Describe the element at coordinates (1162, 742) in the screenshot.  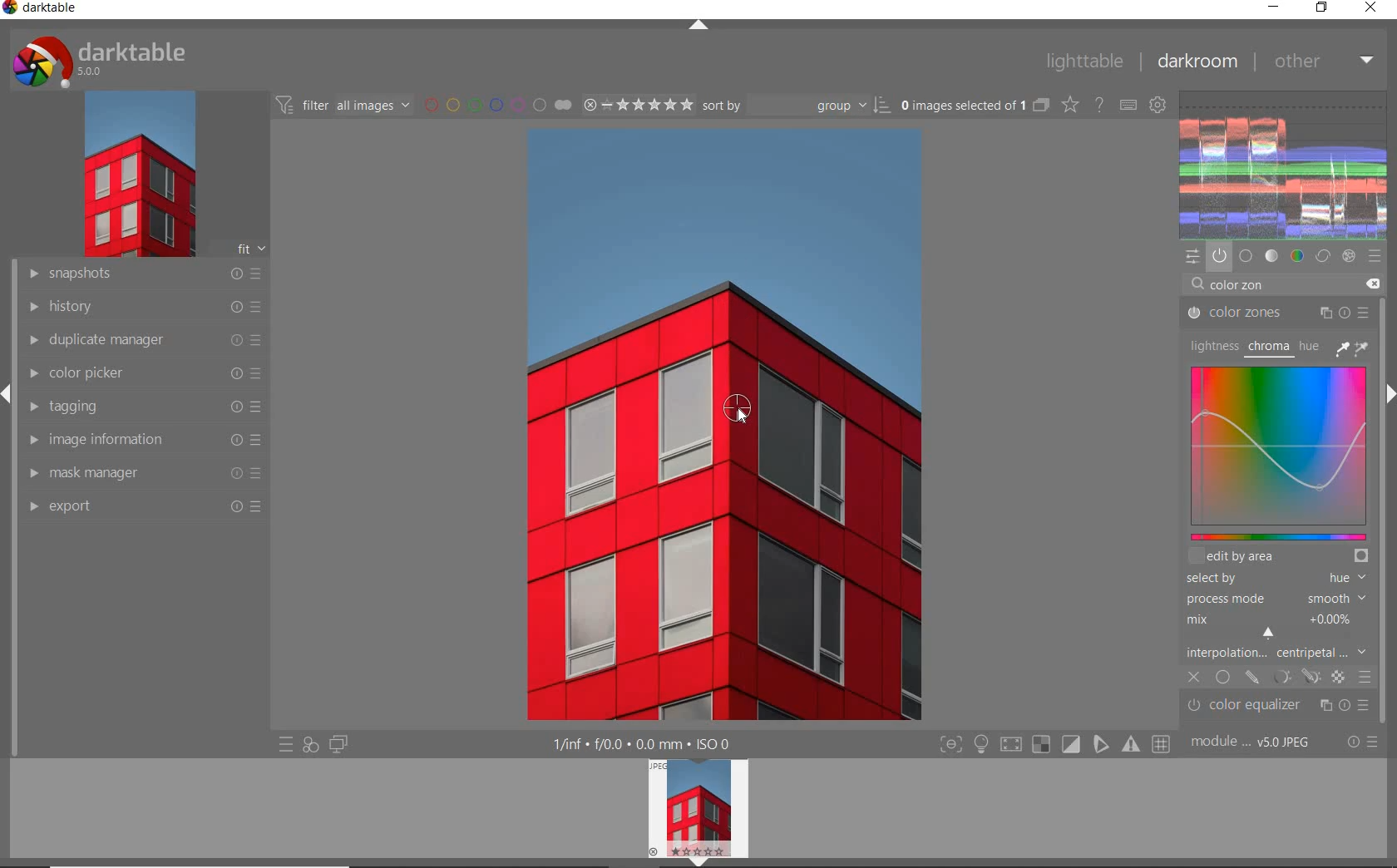
I see `grid overlay` at that location.